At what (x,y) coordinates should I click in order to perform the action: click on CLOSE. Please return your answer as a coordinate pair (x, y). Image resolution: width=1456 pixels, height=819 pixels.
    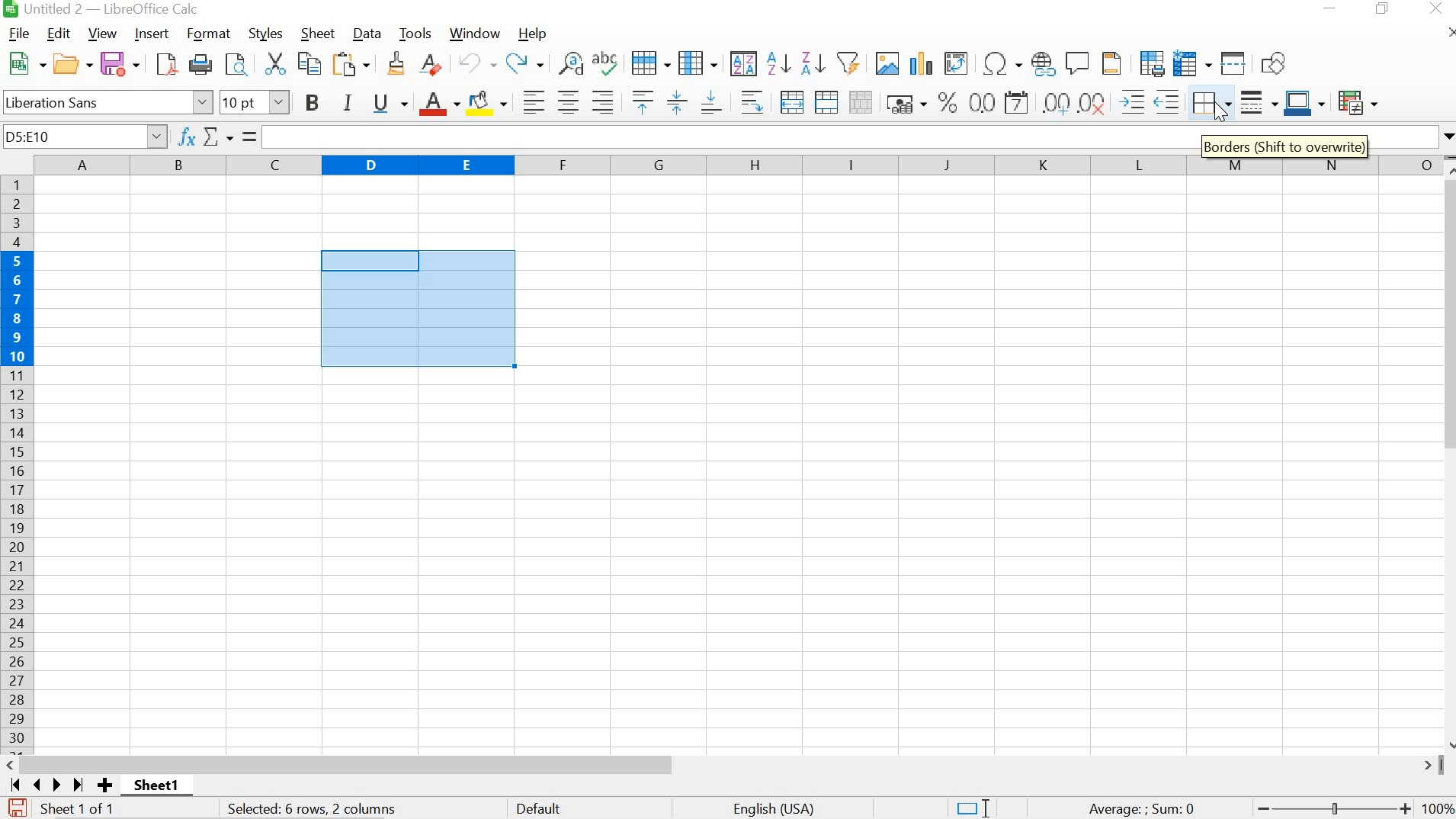
    Looking at the image, I should click on (1451, 32).